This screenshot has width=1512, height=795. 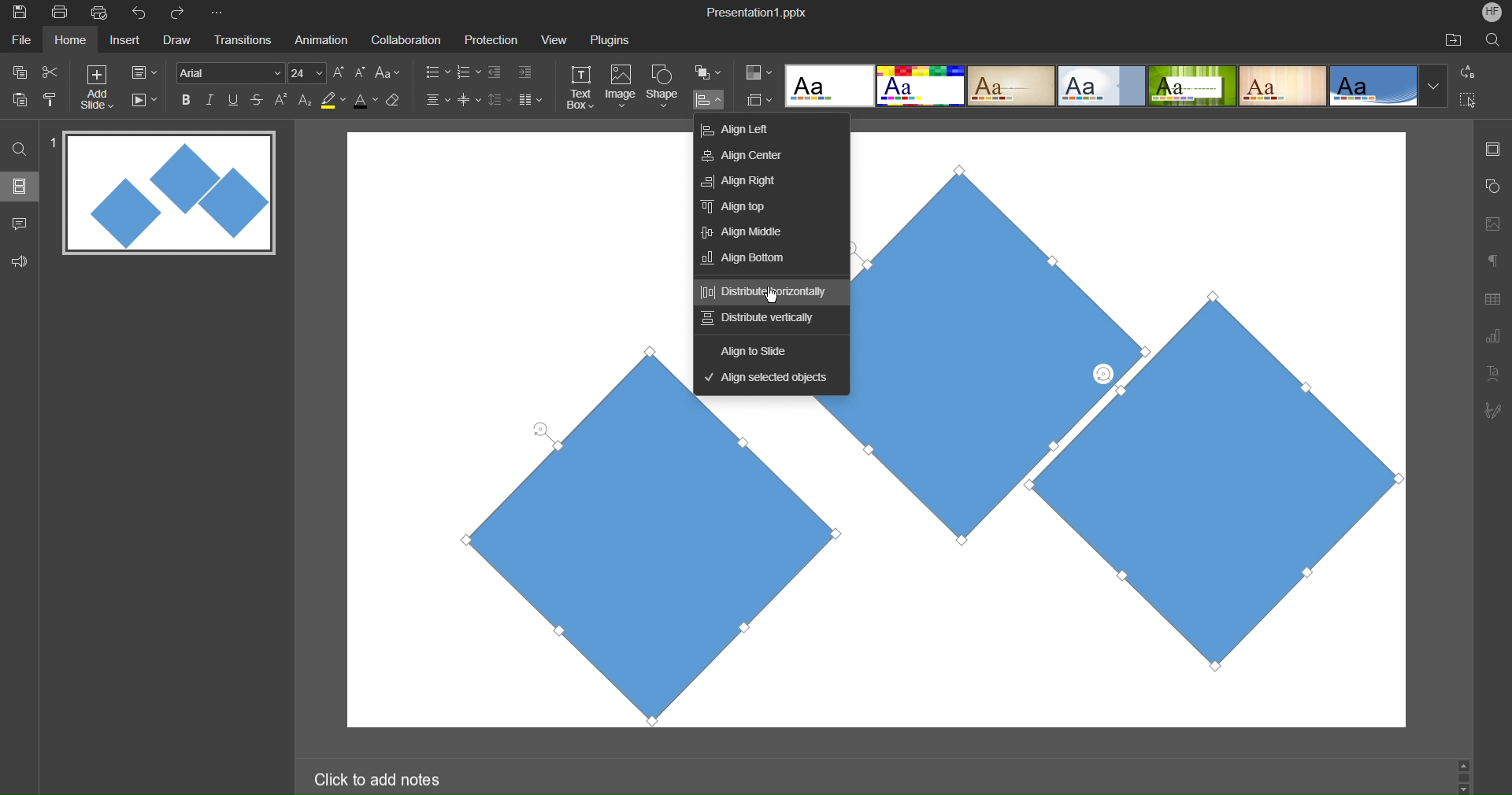 What do you see at coordinates (765, 378) in the screenshot?
I see `align selected objects` at bounding box center [765, 378].